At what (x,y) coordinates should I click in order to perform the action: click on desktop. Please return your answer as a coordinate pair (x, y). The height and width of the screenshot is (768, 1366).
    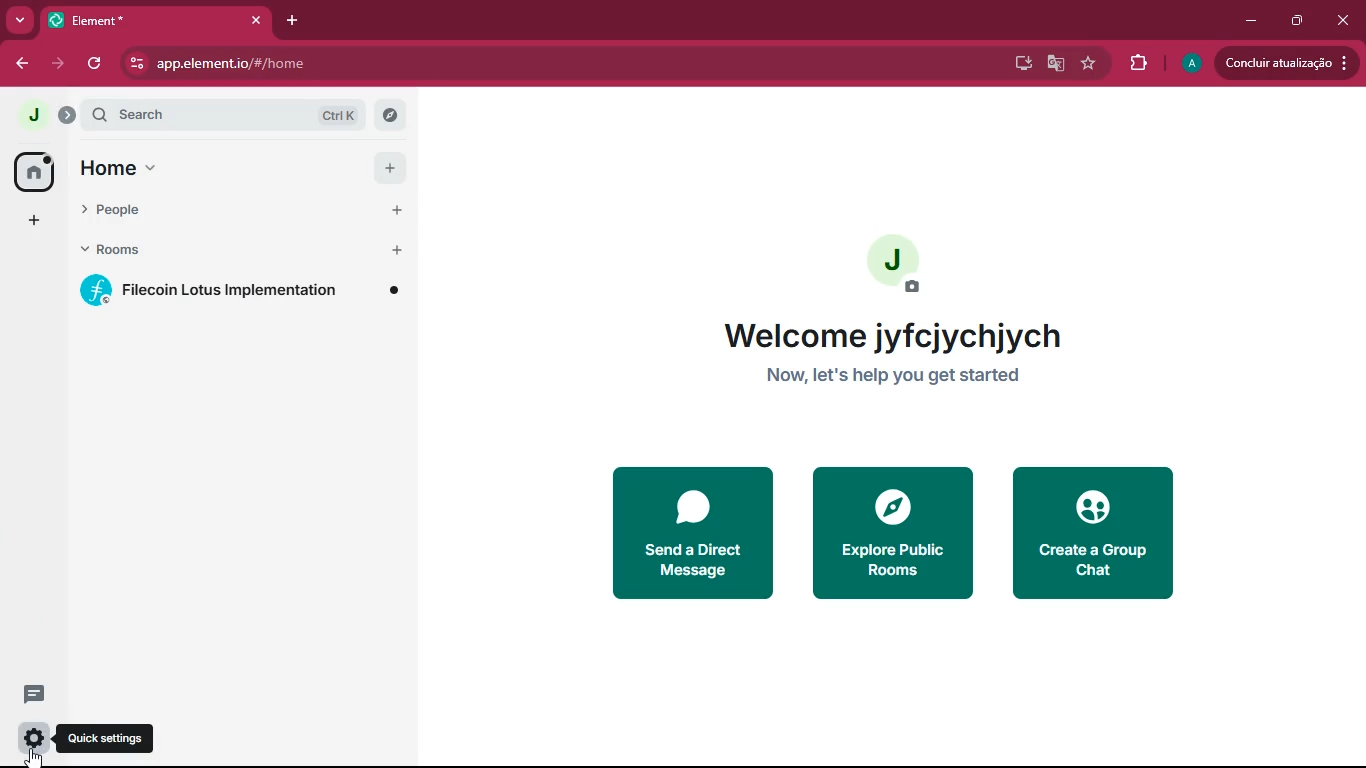
    Looking at the image, I should click on (1018, 63).